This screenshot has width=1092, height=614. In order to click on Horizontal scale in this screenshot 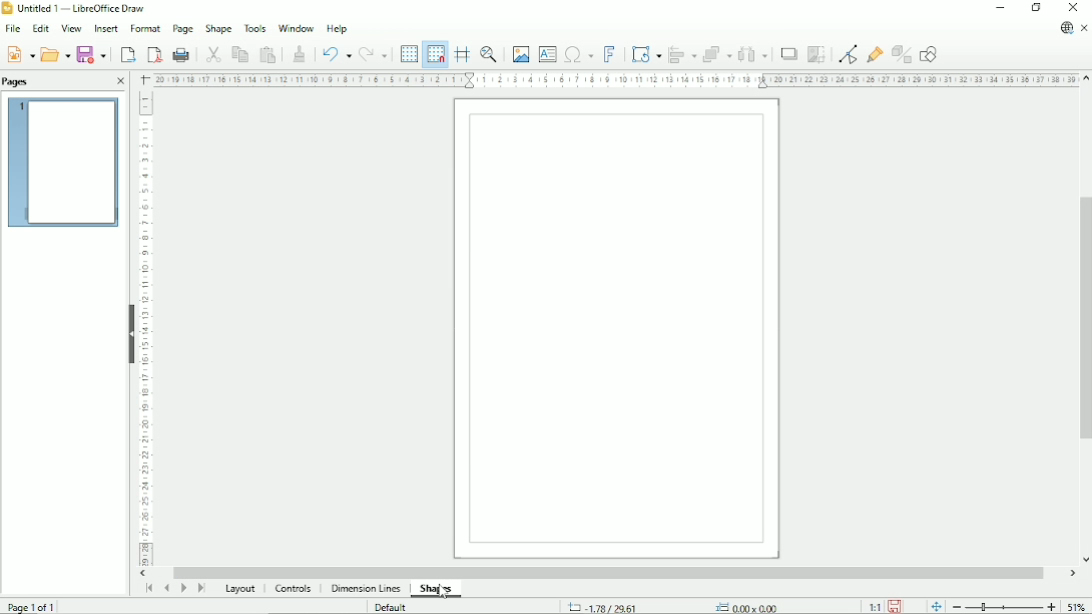, I will do `click(613, 80)`.